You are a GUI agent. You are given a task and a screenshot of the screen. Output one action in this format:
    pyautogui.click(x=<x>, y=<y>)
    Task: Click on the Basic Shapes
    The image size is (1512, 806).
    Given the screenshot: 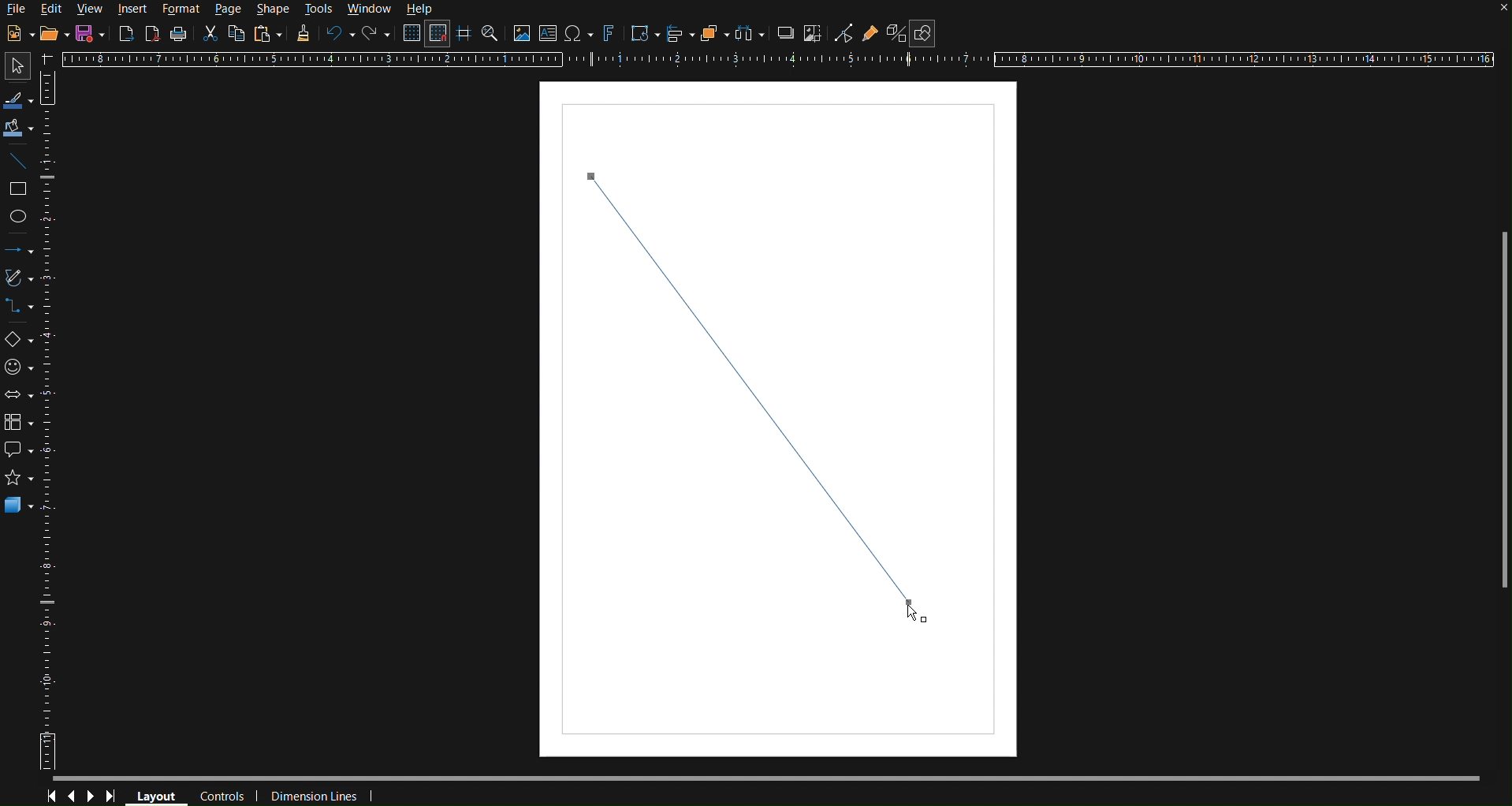 What is the action you would take?
    pyautogui.click(x=20, y=339)
    